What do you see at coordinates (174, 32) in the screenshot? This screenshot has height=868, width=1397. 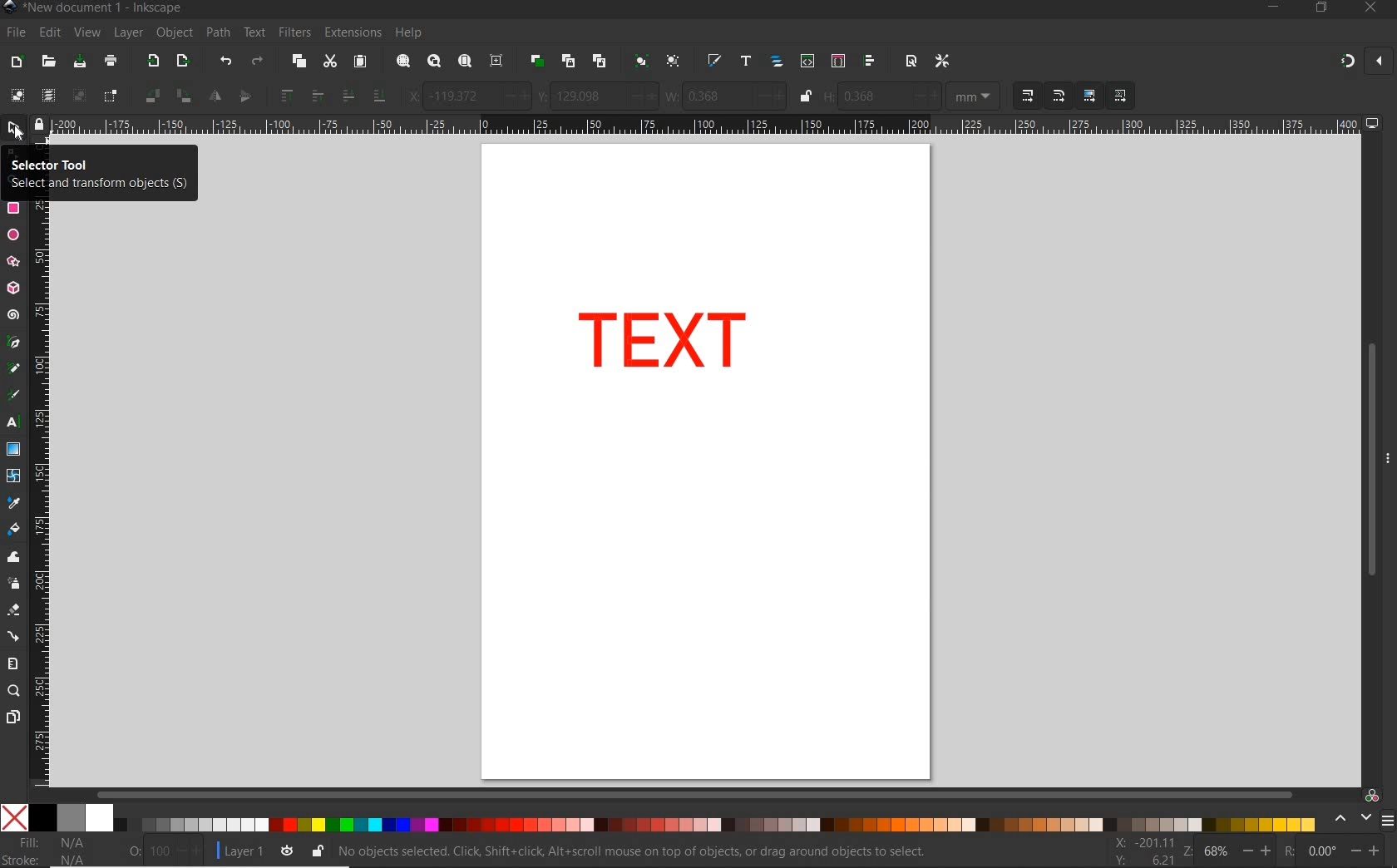 I see `OBJECT` at bounding box center [174, 32].